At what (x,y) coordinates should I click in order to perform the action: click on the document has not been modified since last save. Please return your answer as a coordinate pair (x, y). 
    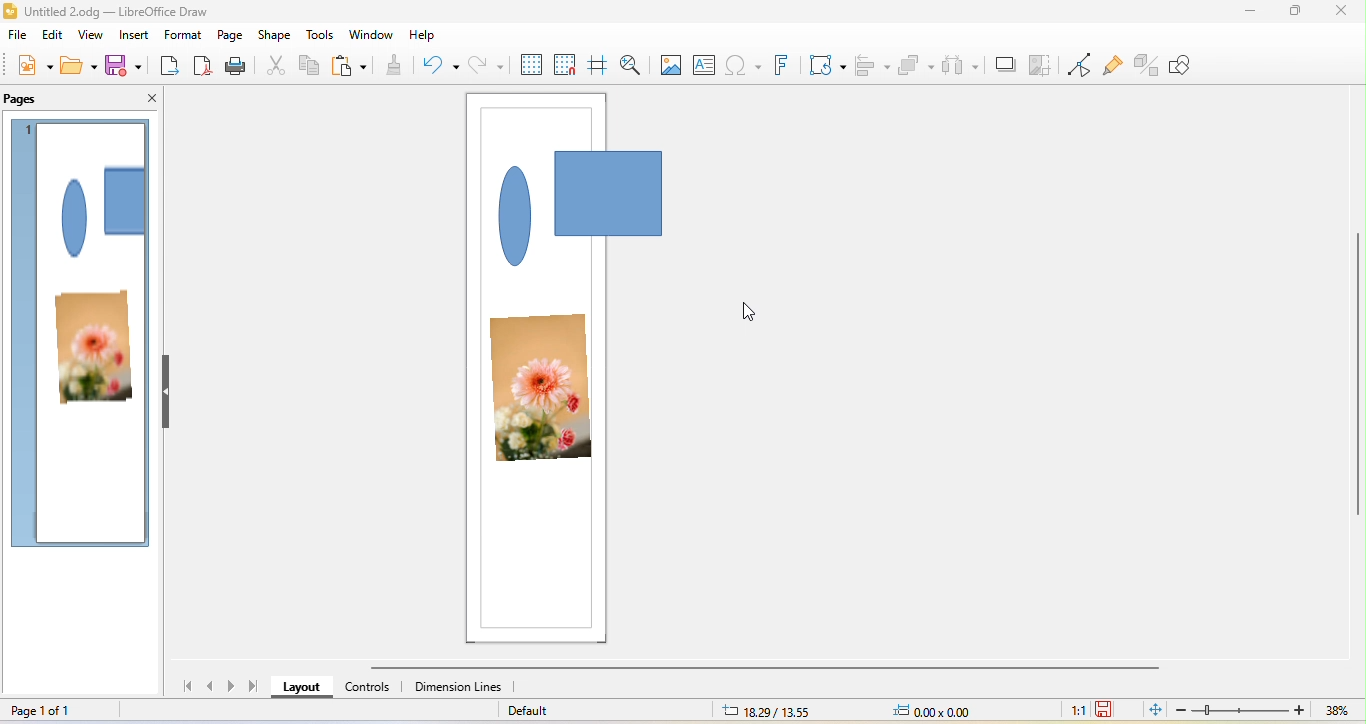
    Looking at the image, I should click on (1109, 709).